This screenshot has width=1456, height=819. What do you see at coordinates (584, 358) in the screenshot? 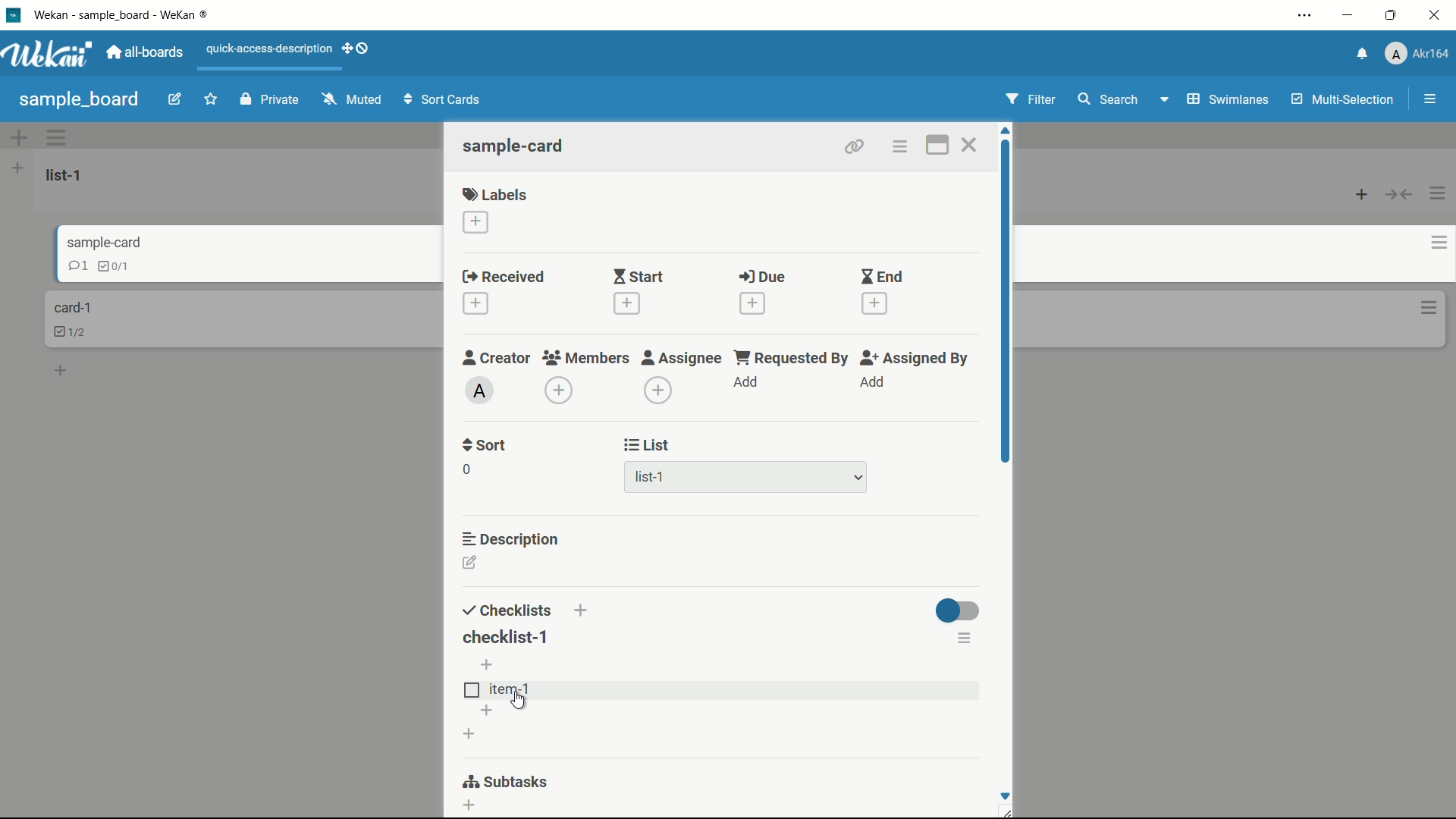
I see `members` at bounding box center [584, 358].